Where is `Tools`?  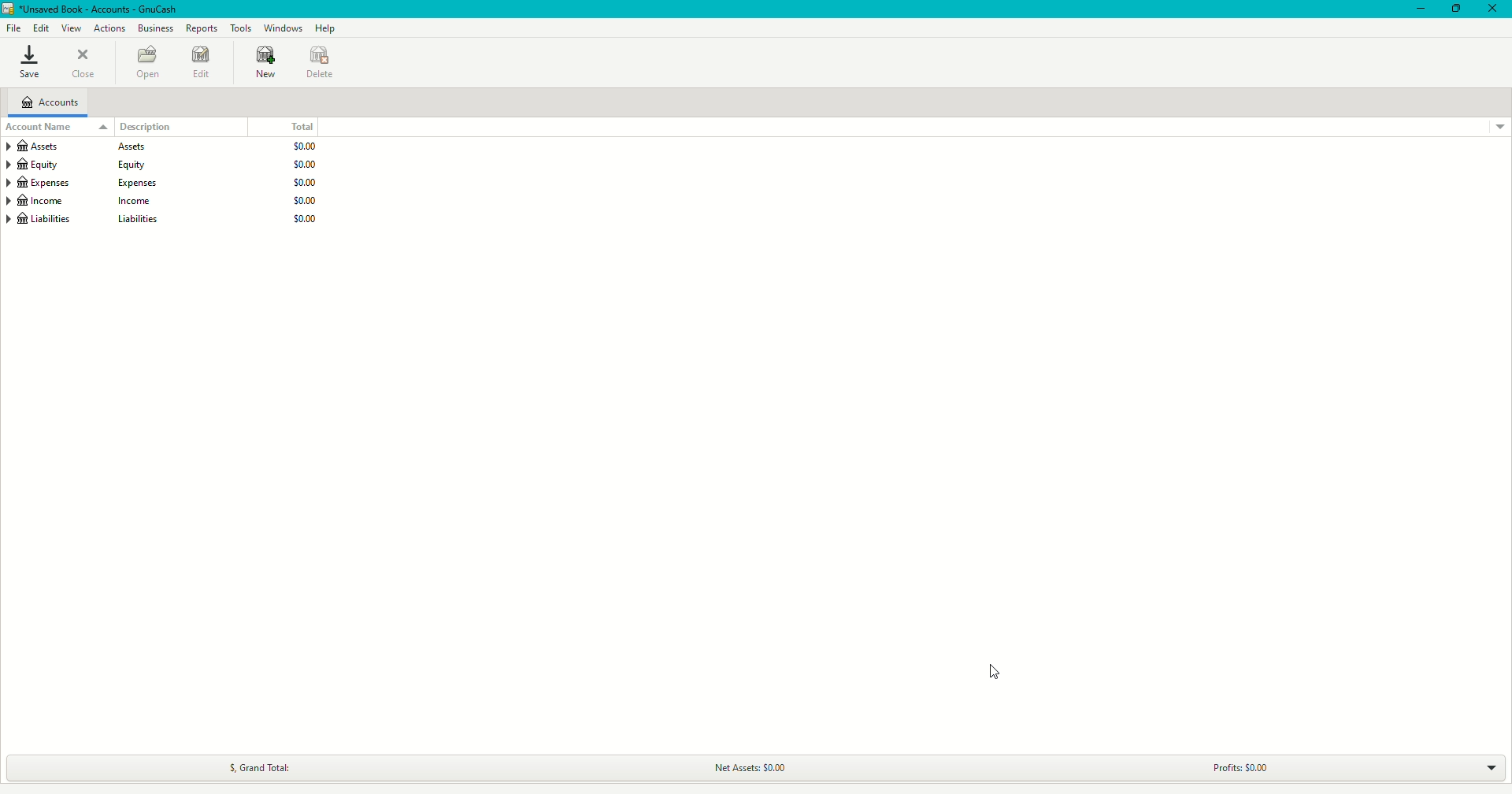
Tools is located at coordinates (241, 28).